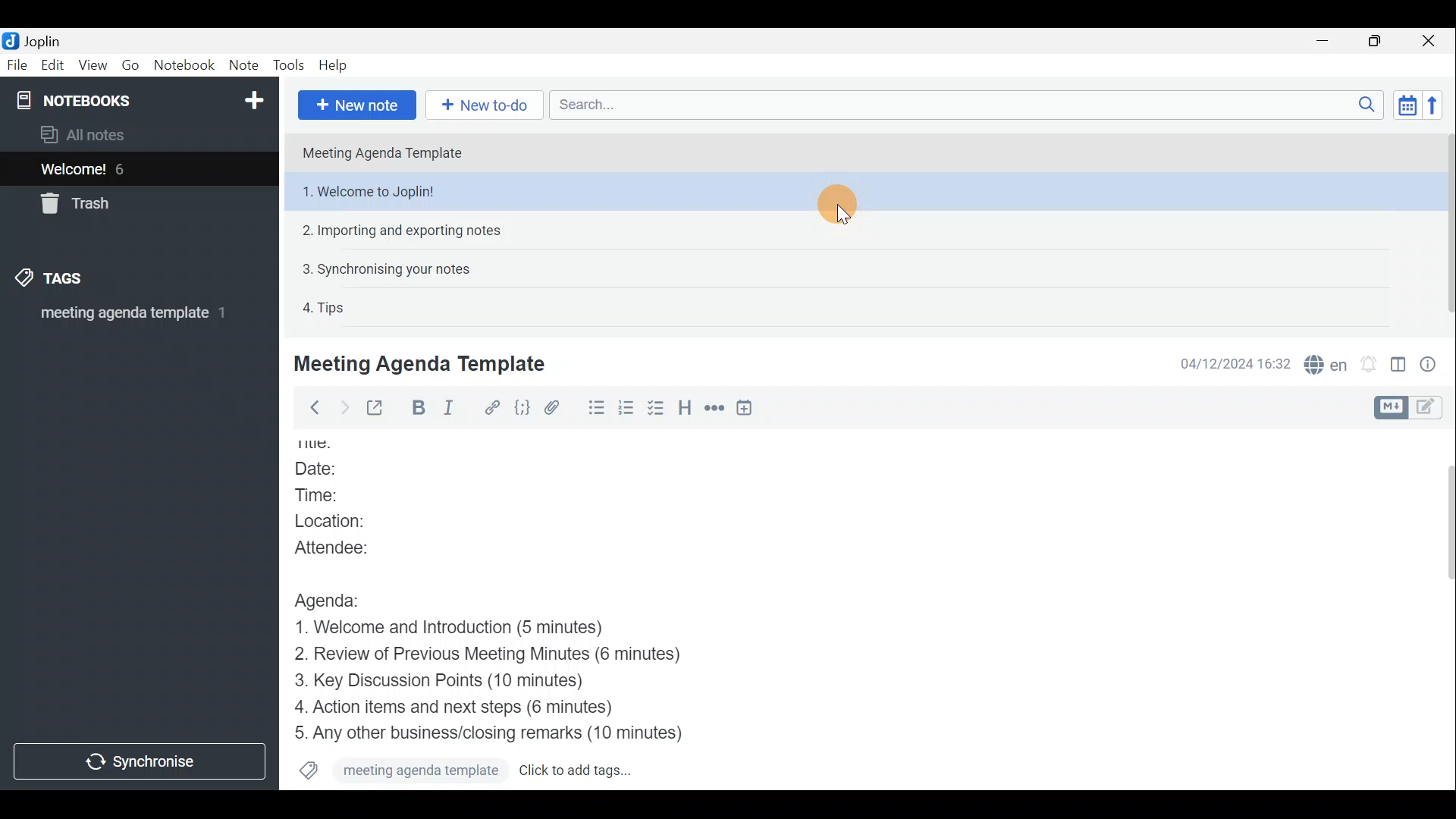  I want to click on Meeting Agenda Template, so click(422, 363).